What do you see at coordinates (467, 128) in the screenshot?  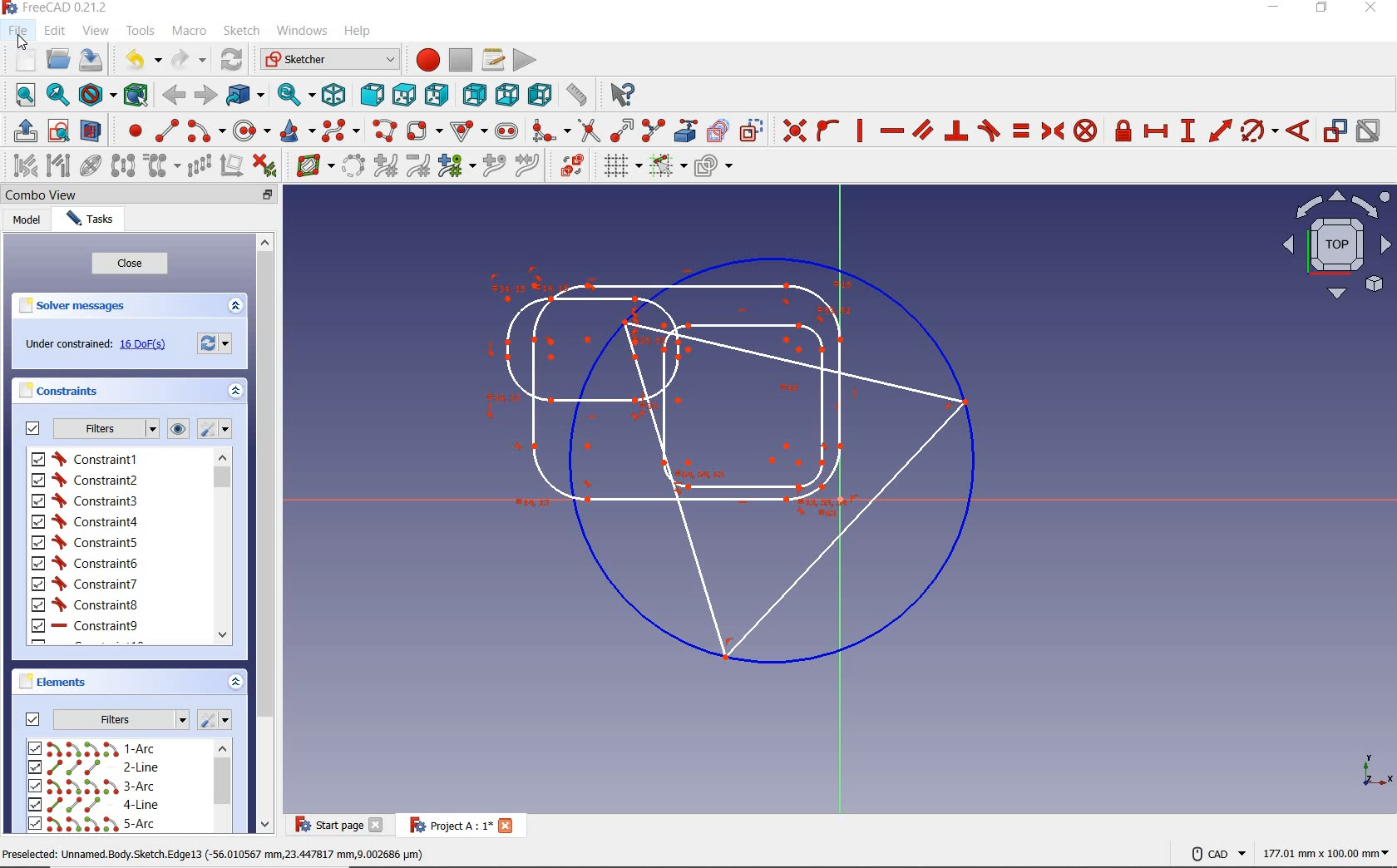 I see `create regular polygon` at bounding box center [467, 128].